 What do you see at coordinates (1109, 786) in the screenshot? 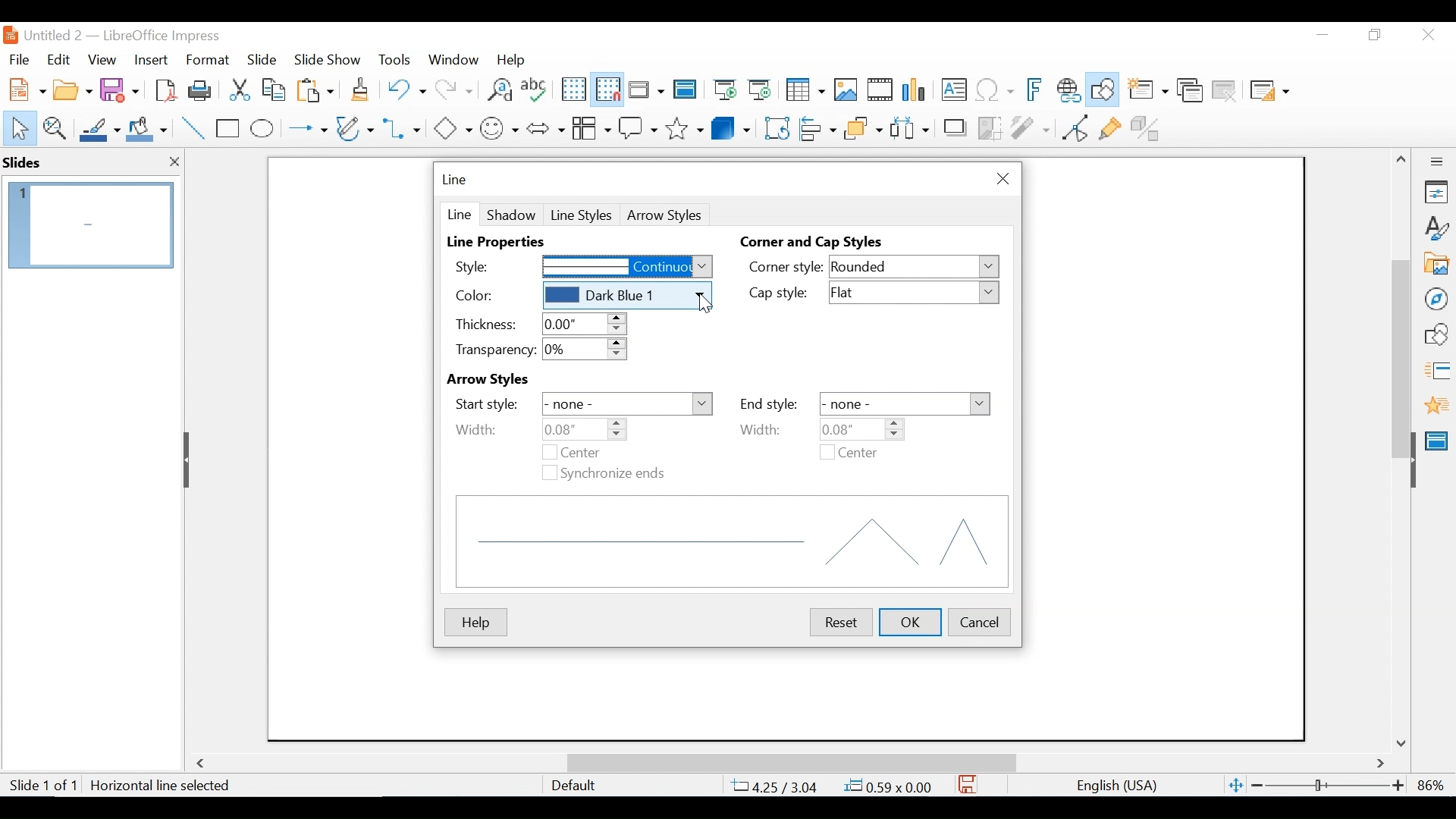
I see `English(USA)` at bounding box center [1109, 786].